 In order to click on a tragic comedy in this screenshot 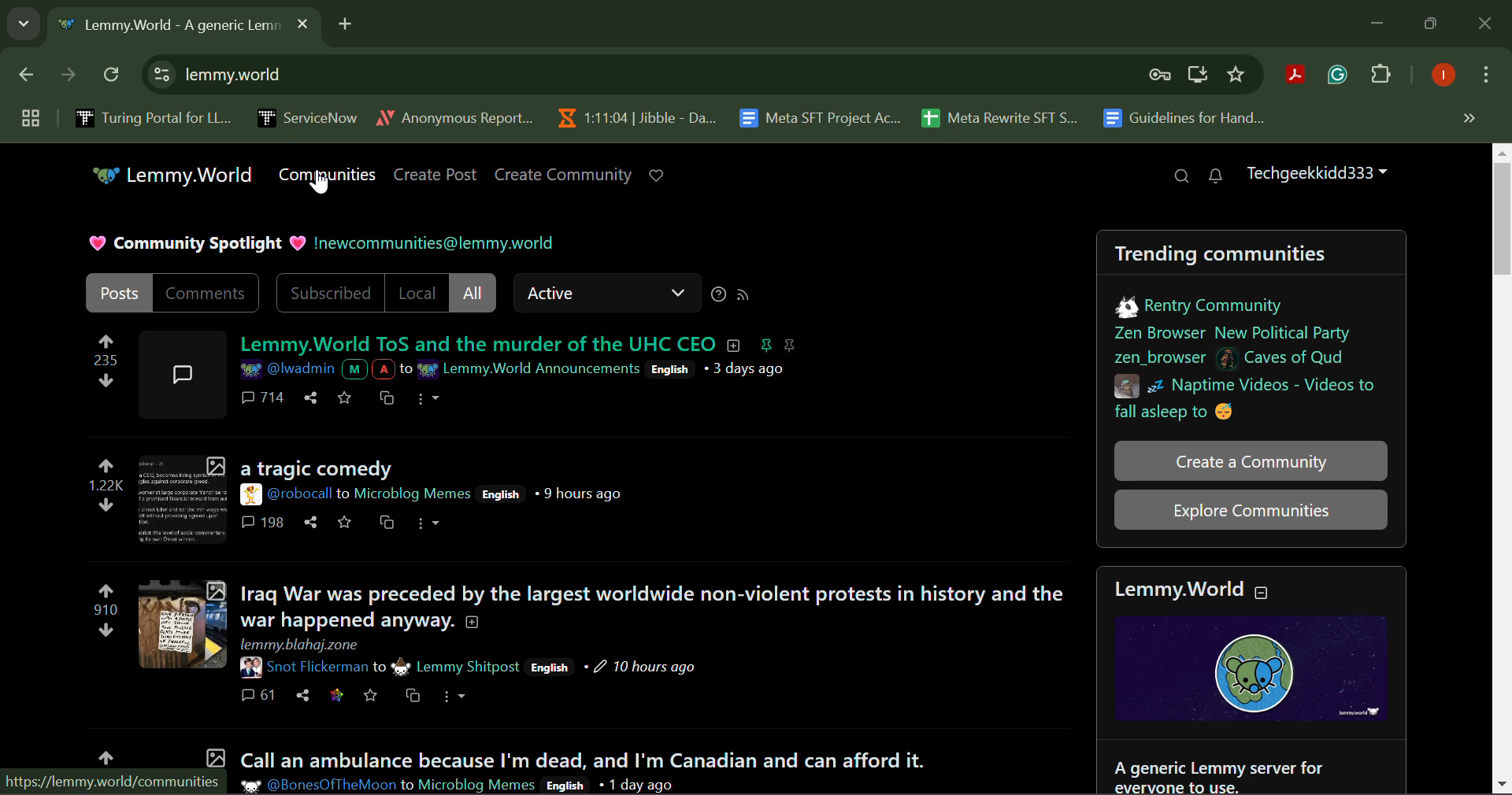, I will do `click(316, 468)`.